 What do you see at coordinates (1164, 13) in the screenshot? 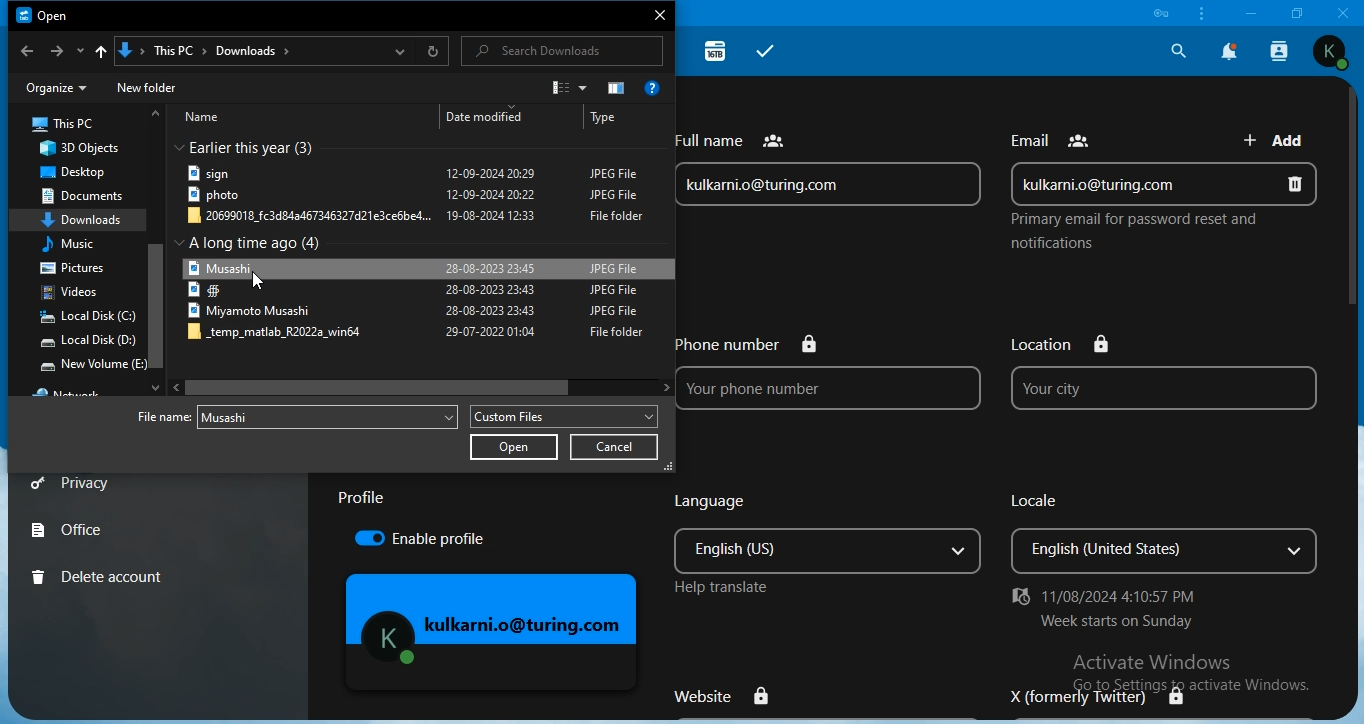
I see `icon` at bounding box center [1164, 13].